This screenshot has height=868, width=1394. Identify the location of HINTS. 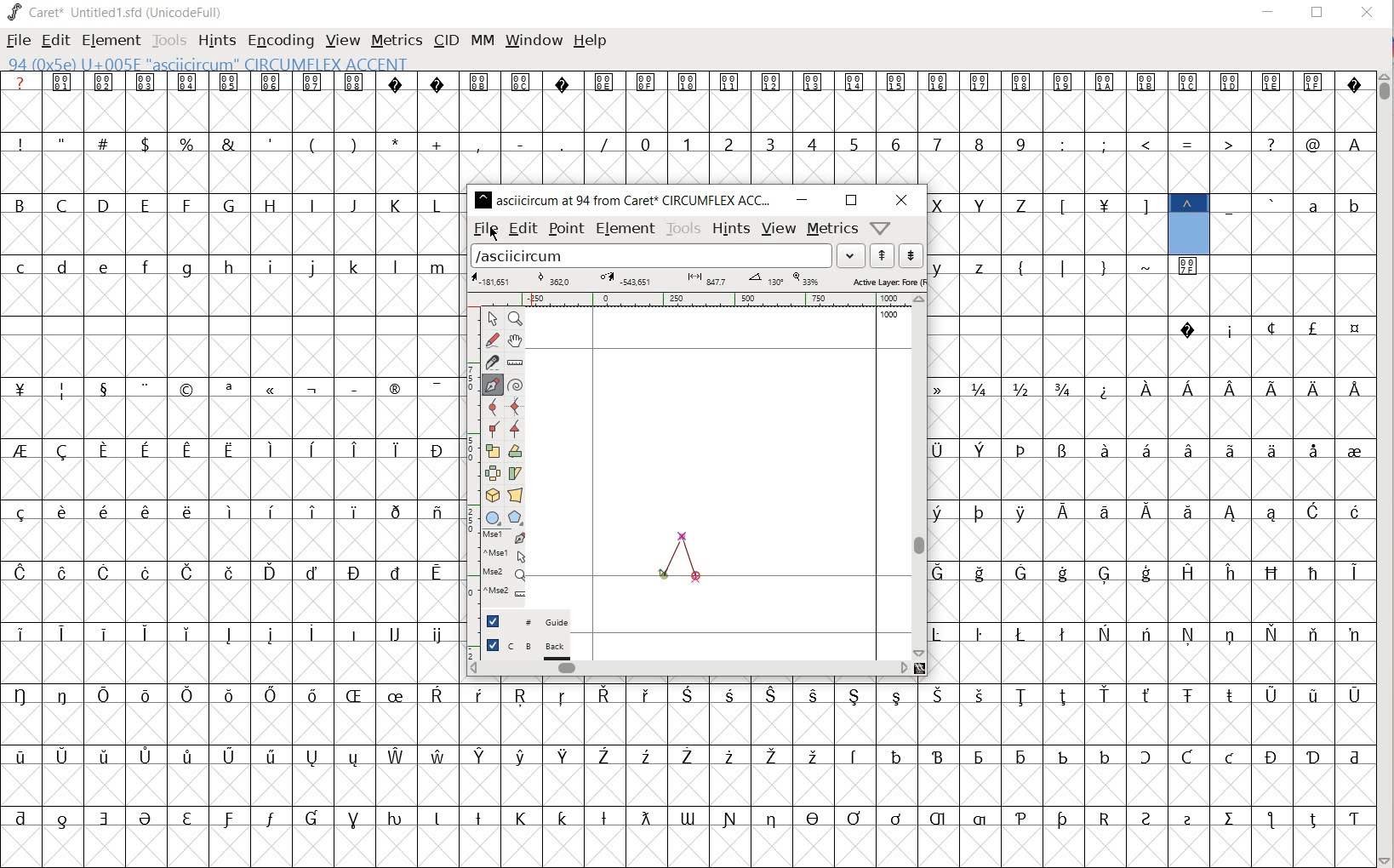
(217, 40).